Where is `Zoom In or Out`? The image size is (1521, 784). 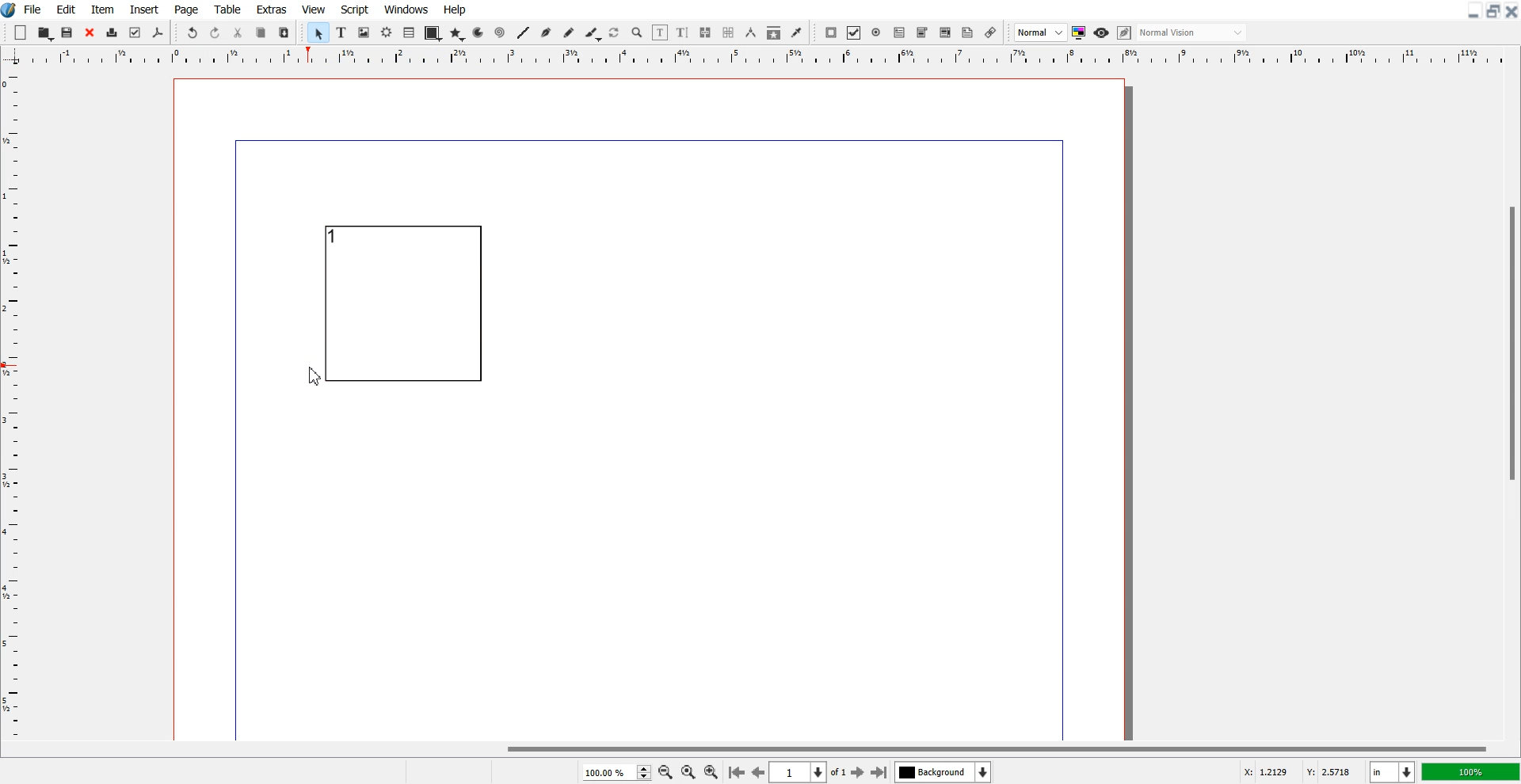
Zoom In or Out is located at coordinates (637, 32).